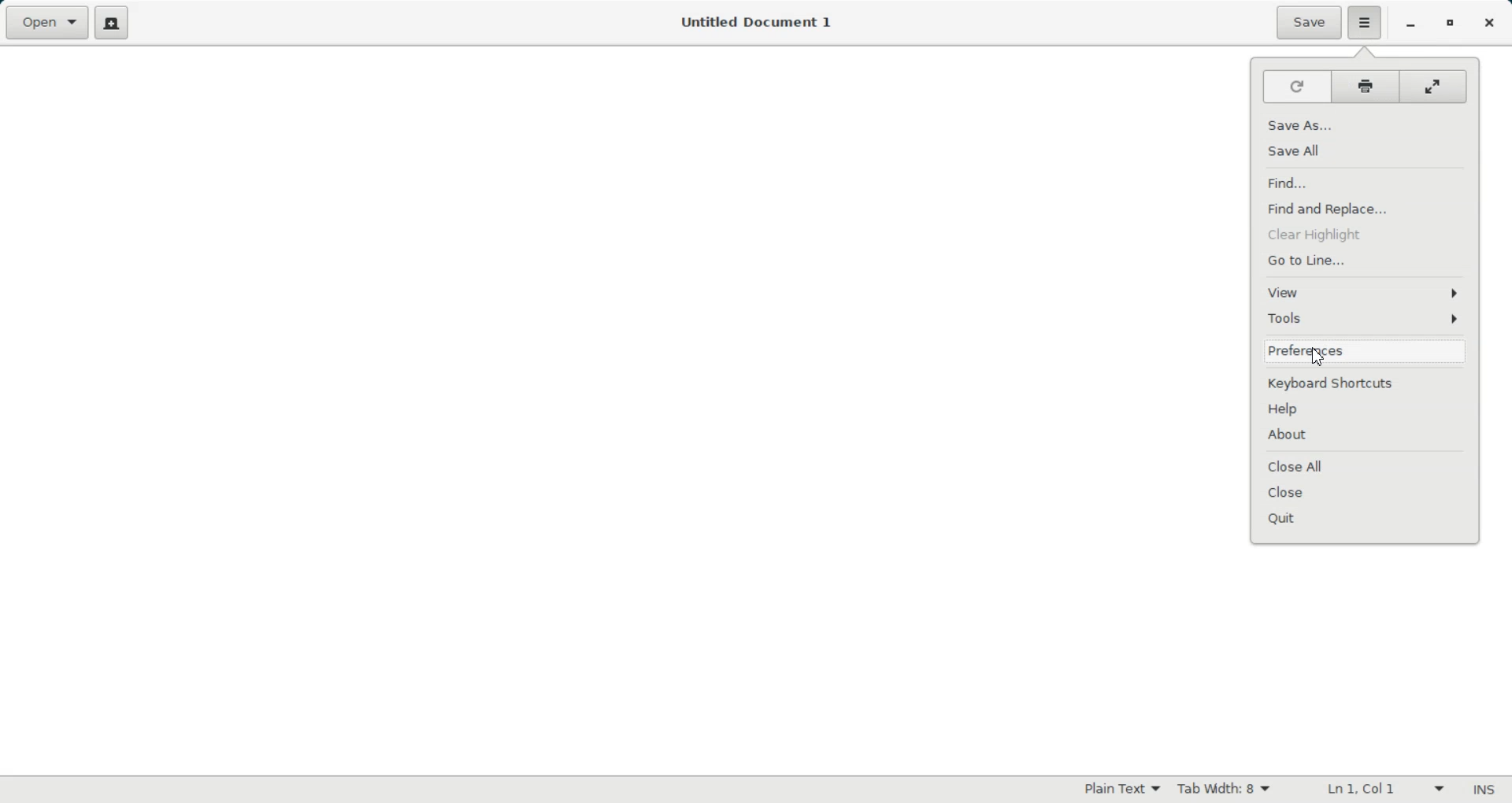 The width and height of the screenshot is (1512, 803). I want to click on Open a file, so click(47, 23).